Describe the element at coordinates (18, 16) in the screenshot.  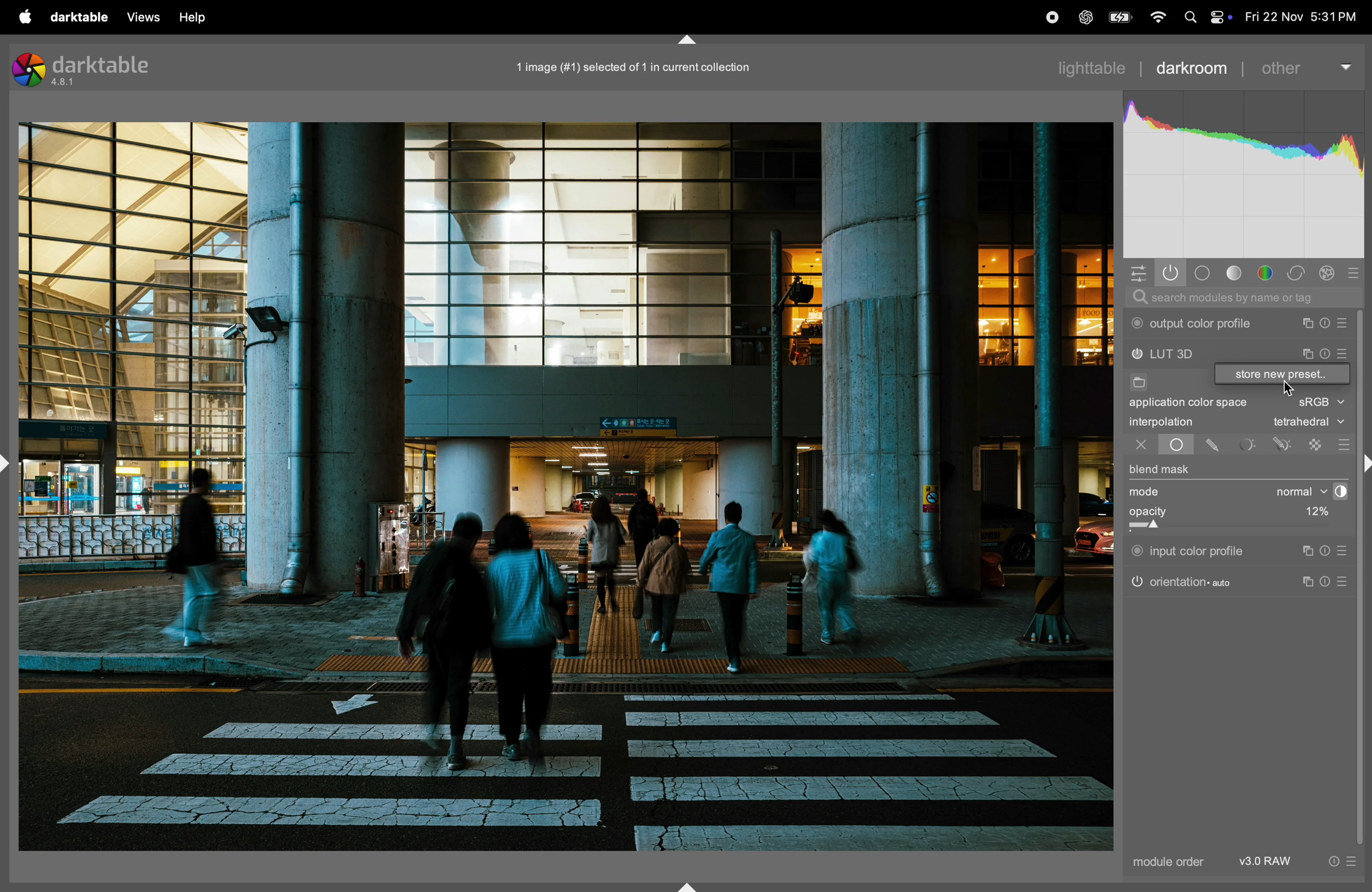
I see `apple menu` at that location.